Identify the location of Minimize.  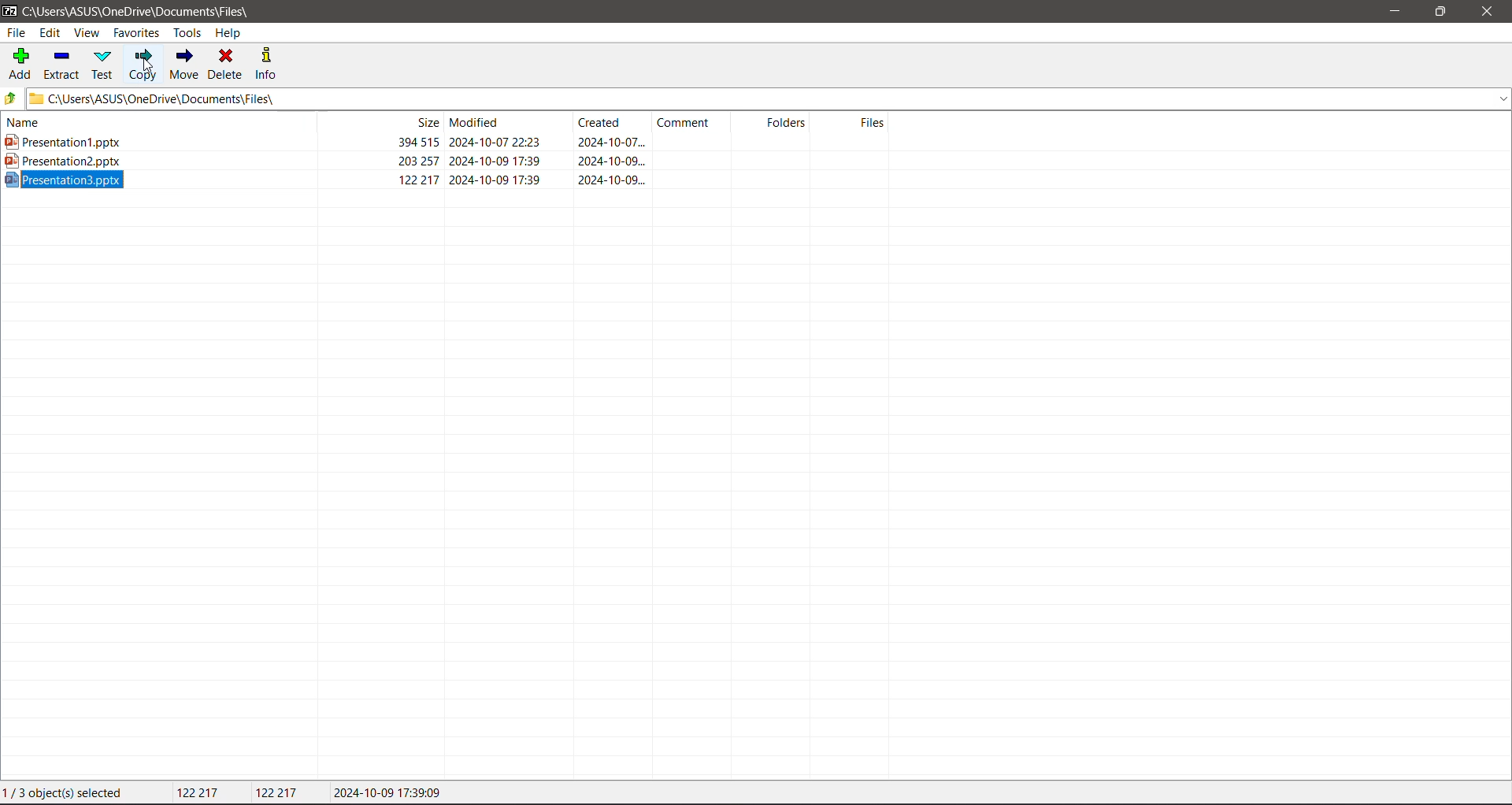
(1394, 12).